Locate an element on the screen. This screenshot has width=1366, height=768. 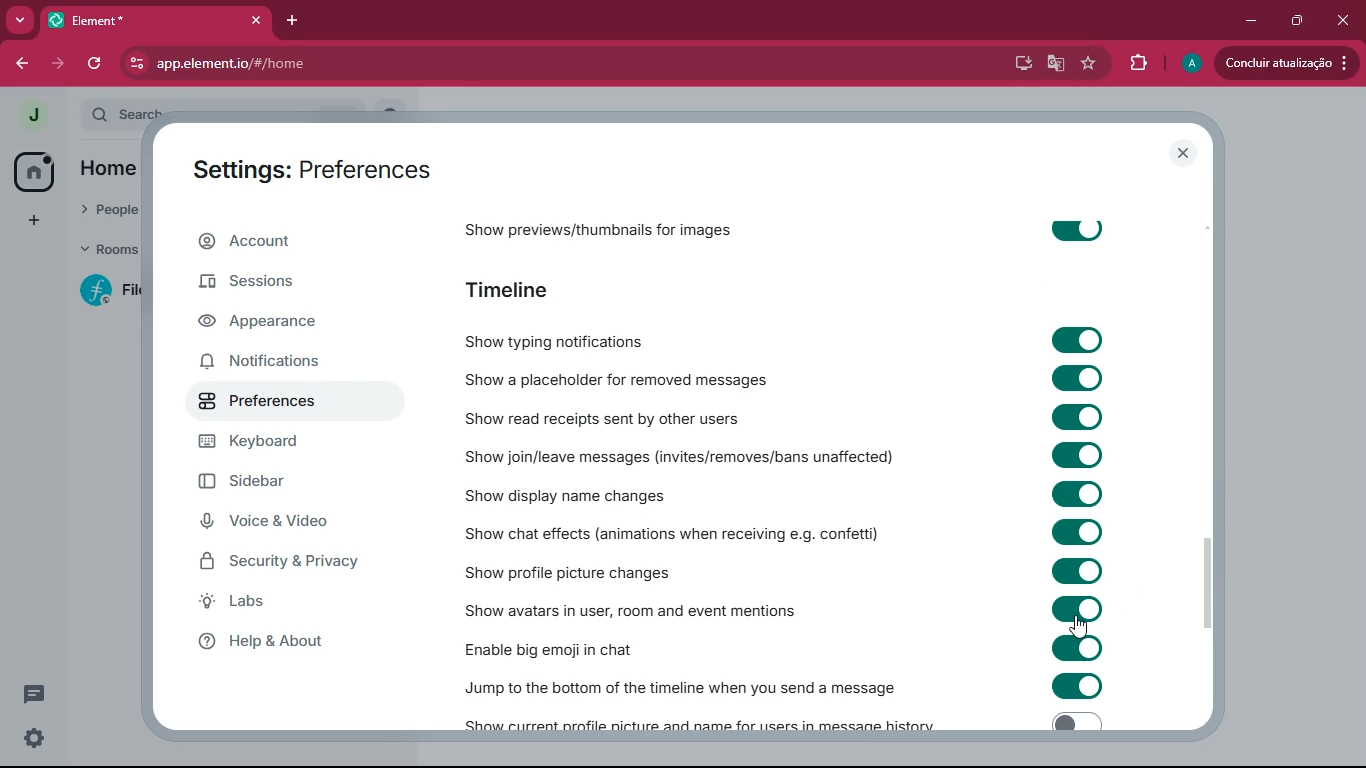
keyboard is located at coordinates (286, 444).